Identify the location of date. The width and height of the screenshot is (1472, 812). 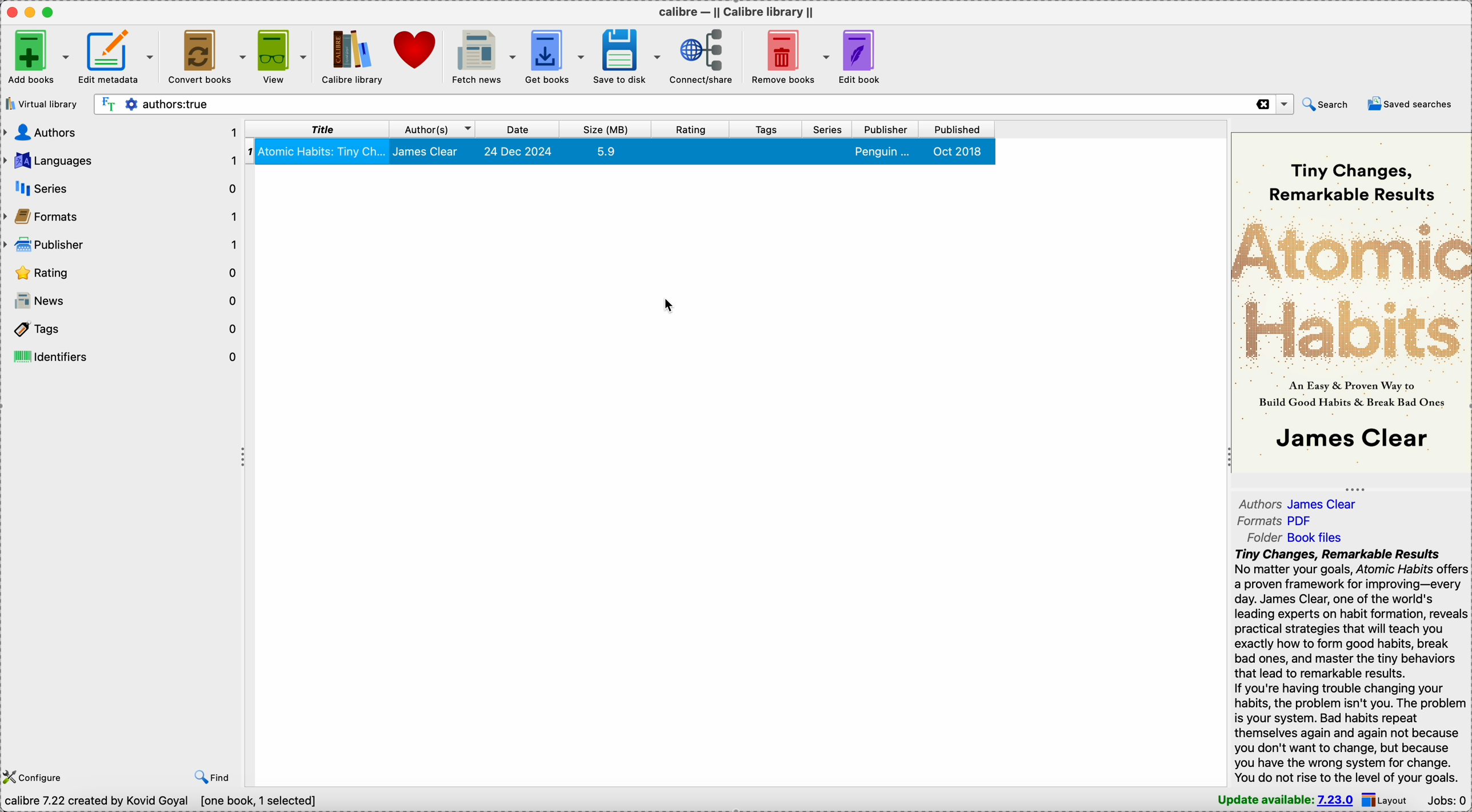
(519, 129).